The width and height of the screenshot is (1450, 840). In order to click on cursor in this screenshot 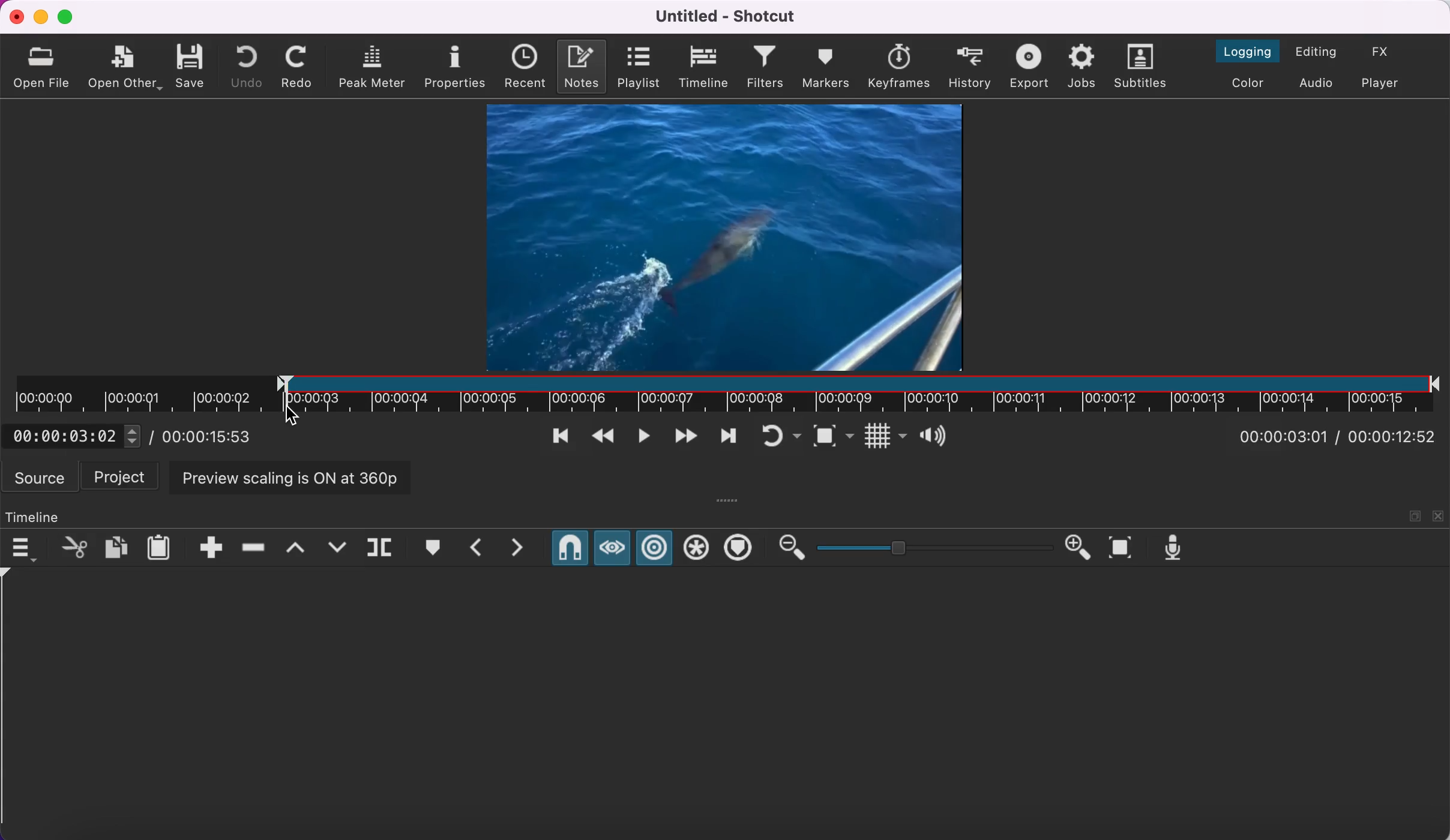, I will do `click(301, 418)`.